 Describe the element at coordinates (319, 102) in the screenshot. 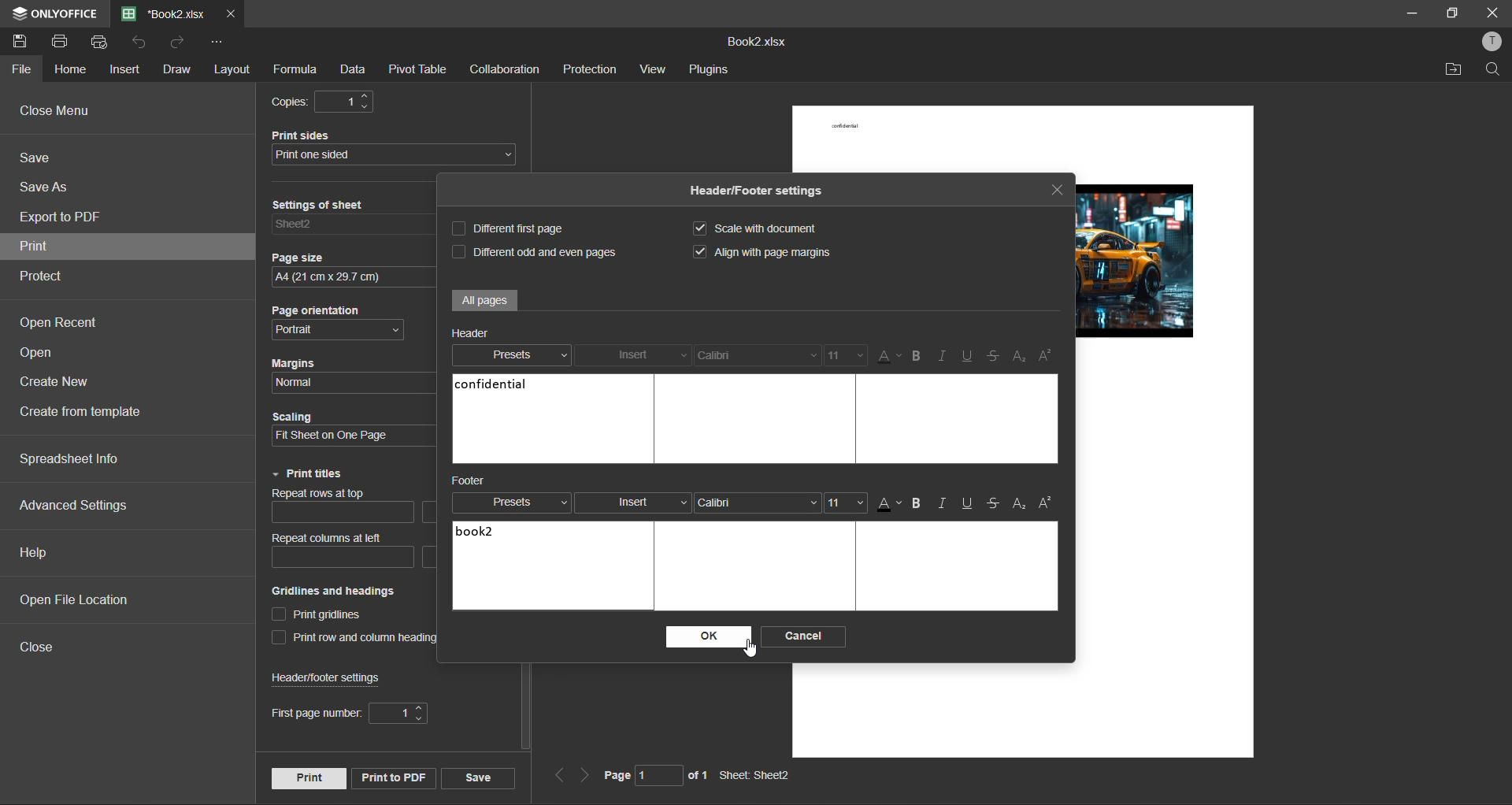

I see `copies` at that location.